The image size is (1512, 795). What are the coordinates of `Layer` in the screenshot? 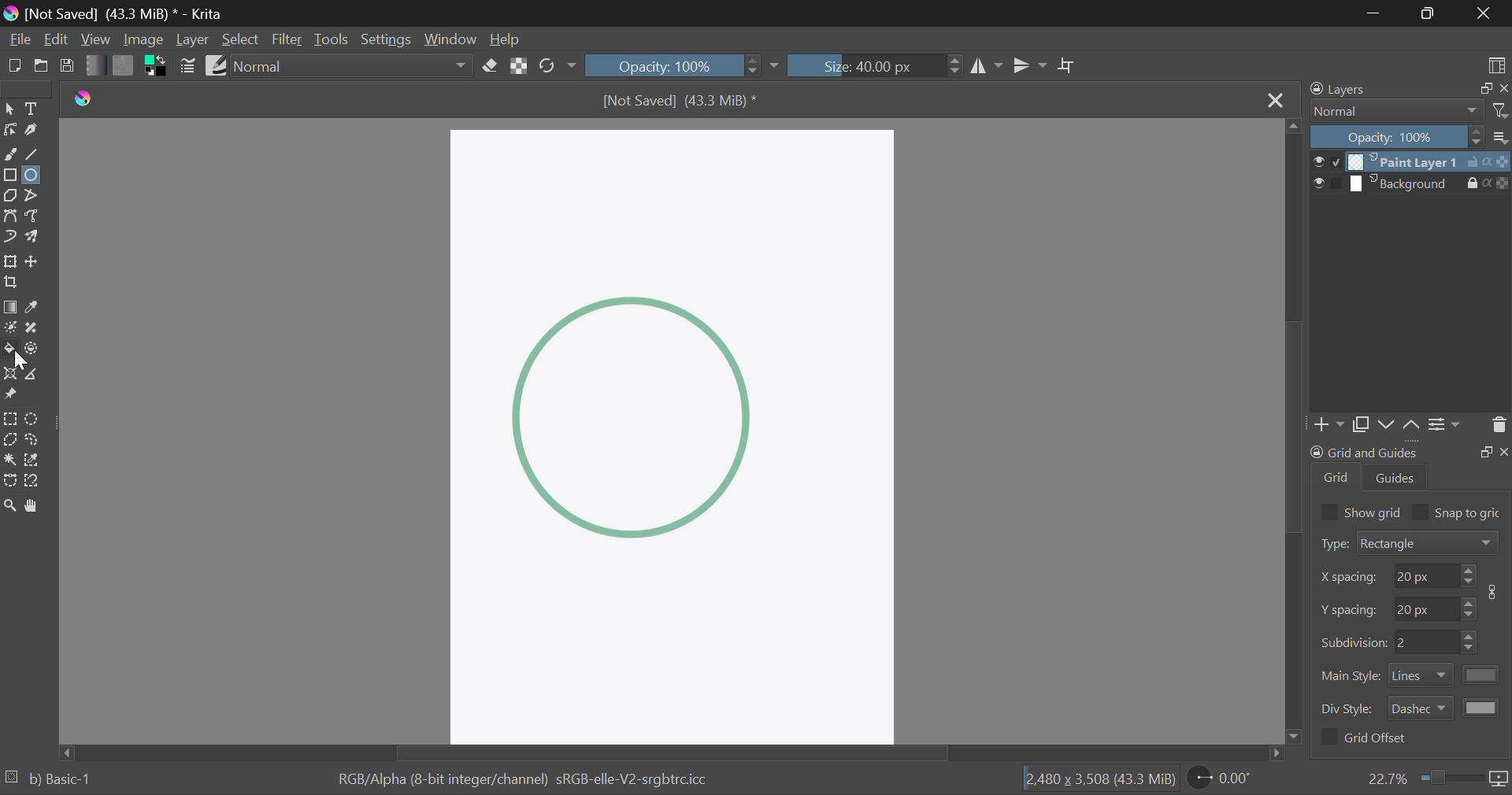 It's located at (193, 41).